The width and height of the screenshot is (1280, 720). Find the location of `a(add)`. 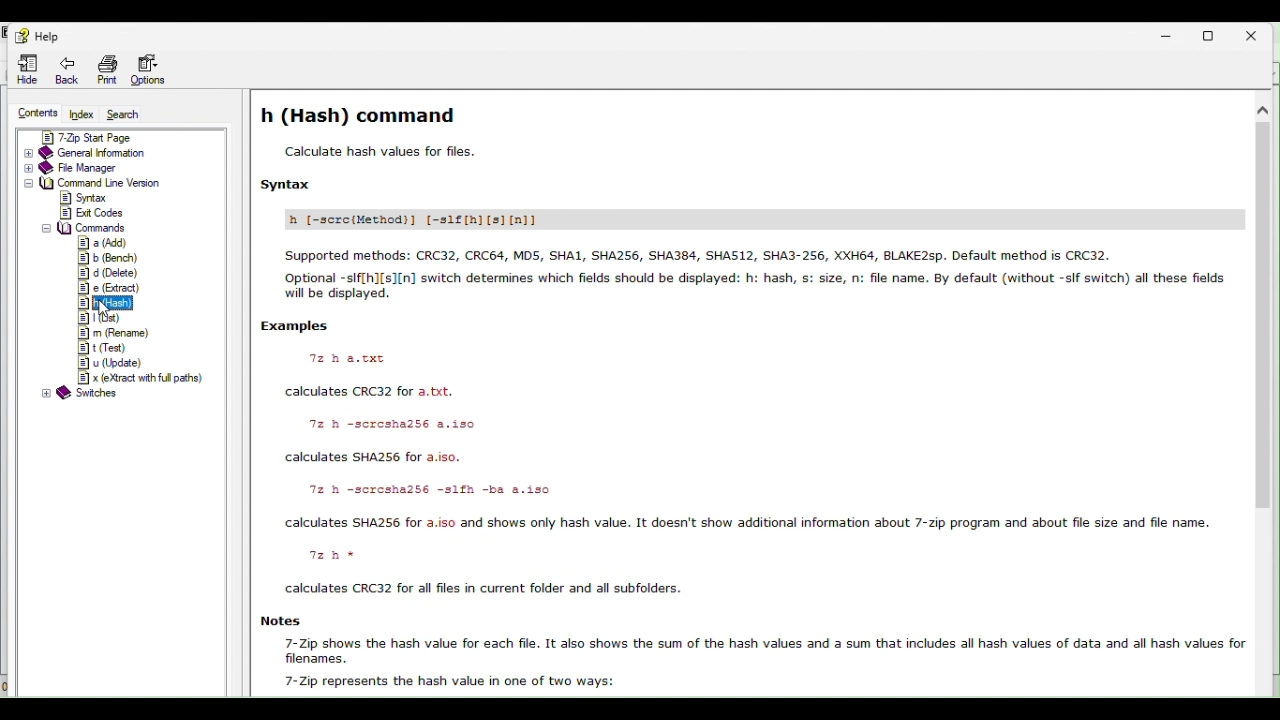

a(add) is located at coordinates (102, 243).